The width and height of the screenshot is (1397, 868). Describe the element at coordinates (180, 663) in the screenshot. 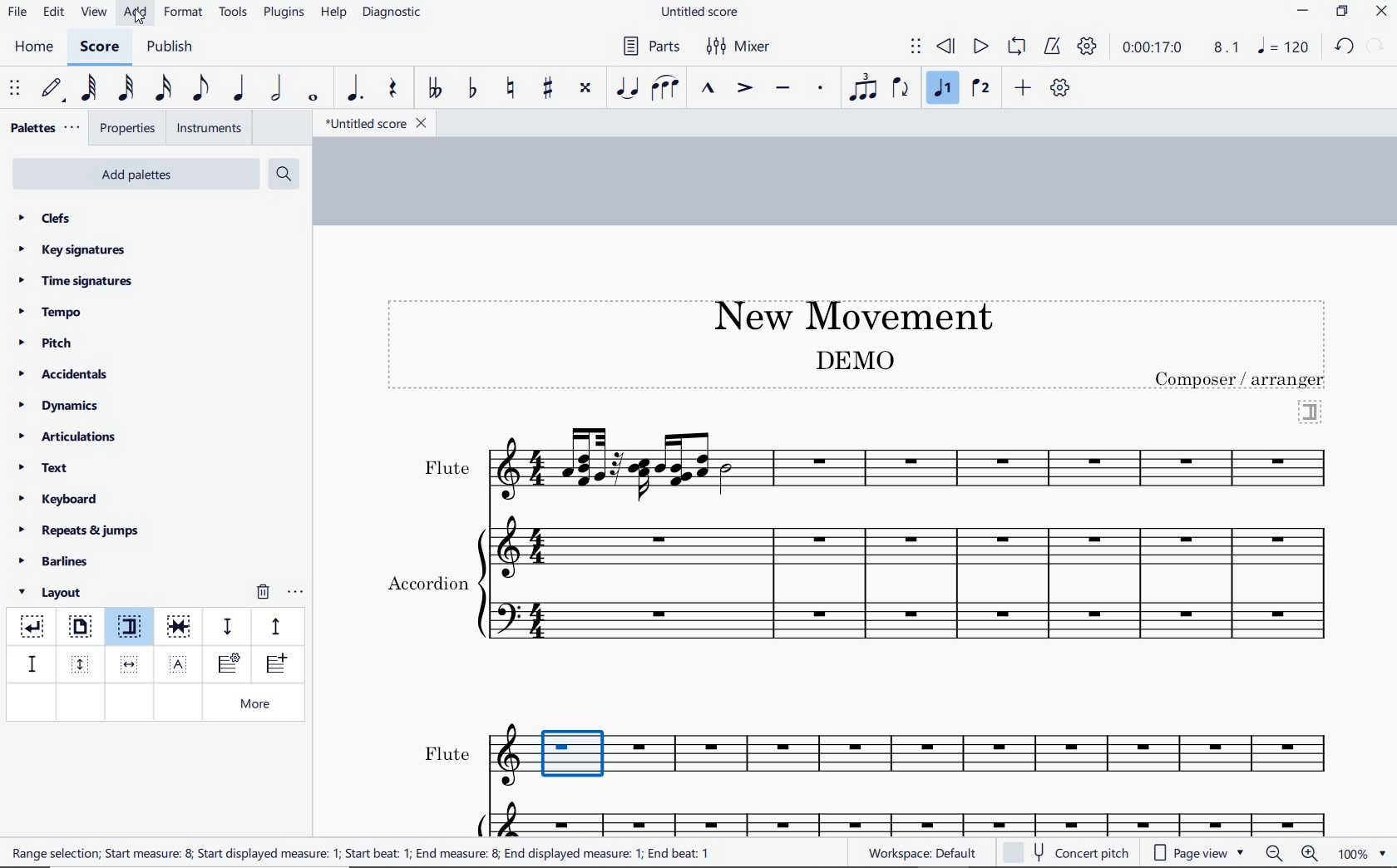

I see `insert text frame` at that location.